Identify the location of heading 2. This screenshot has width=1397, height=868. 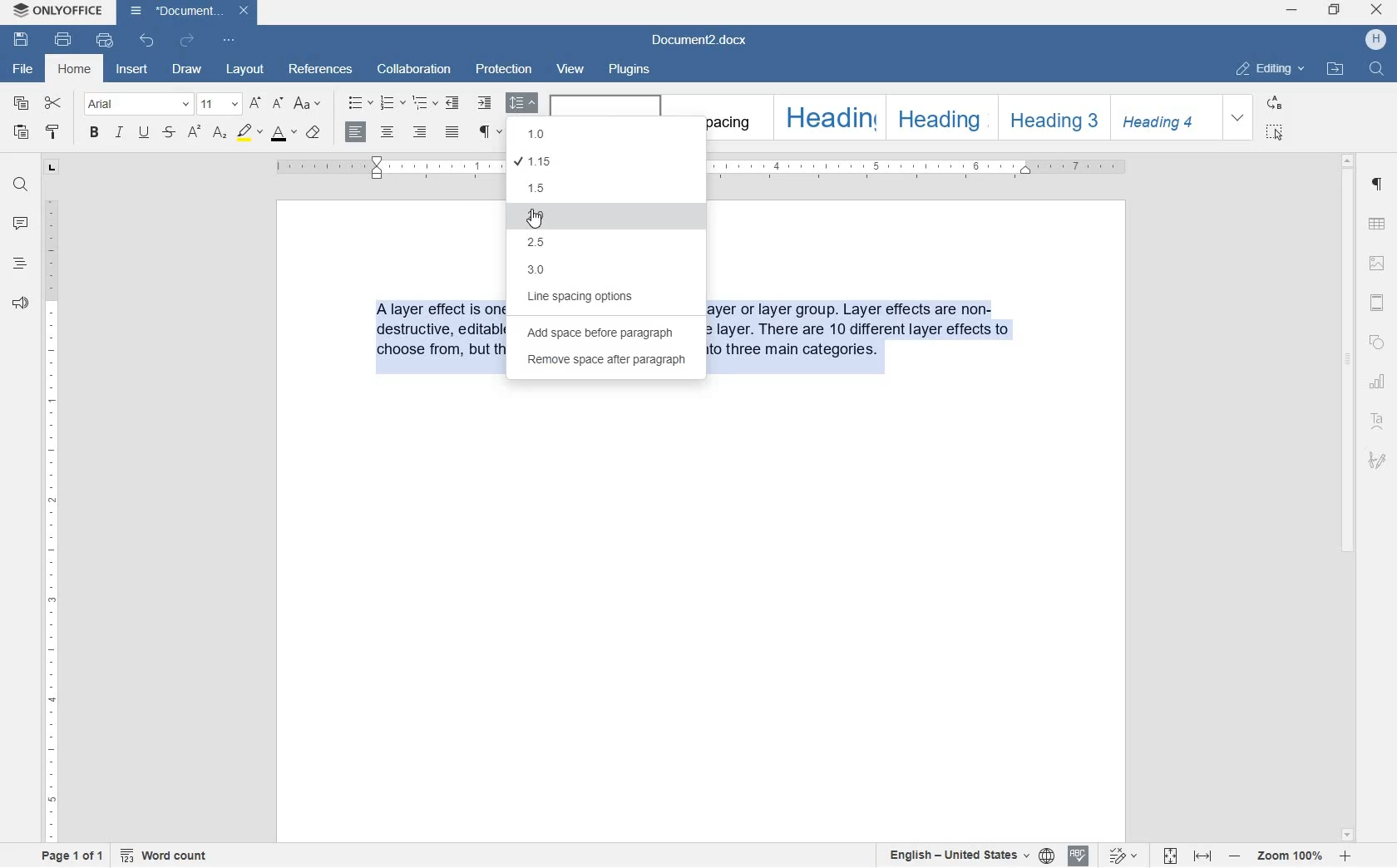
(940, 117).